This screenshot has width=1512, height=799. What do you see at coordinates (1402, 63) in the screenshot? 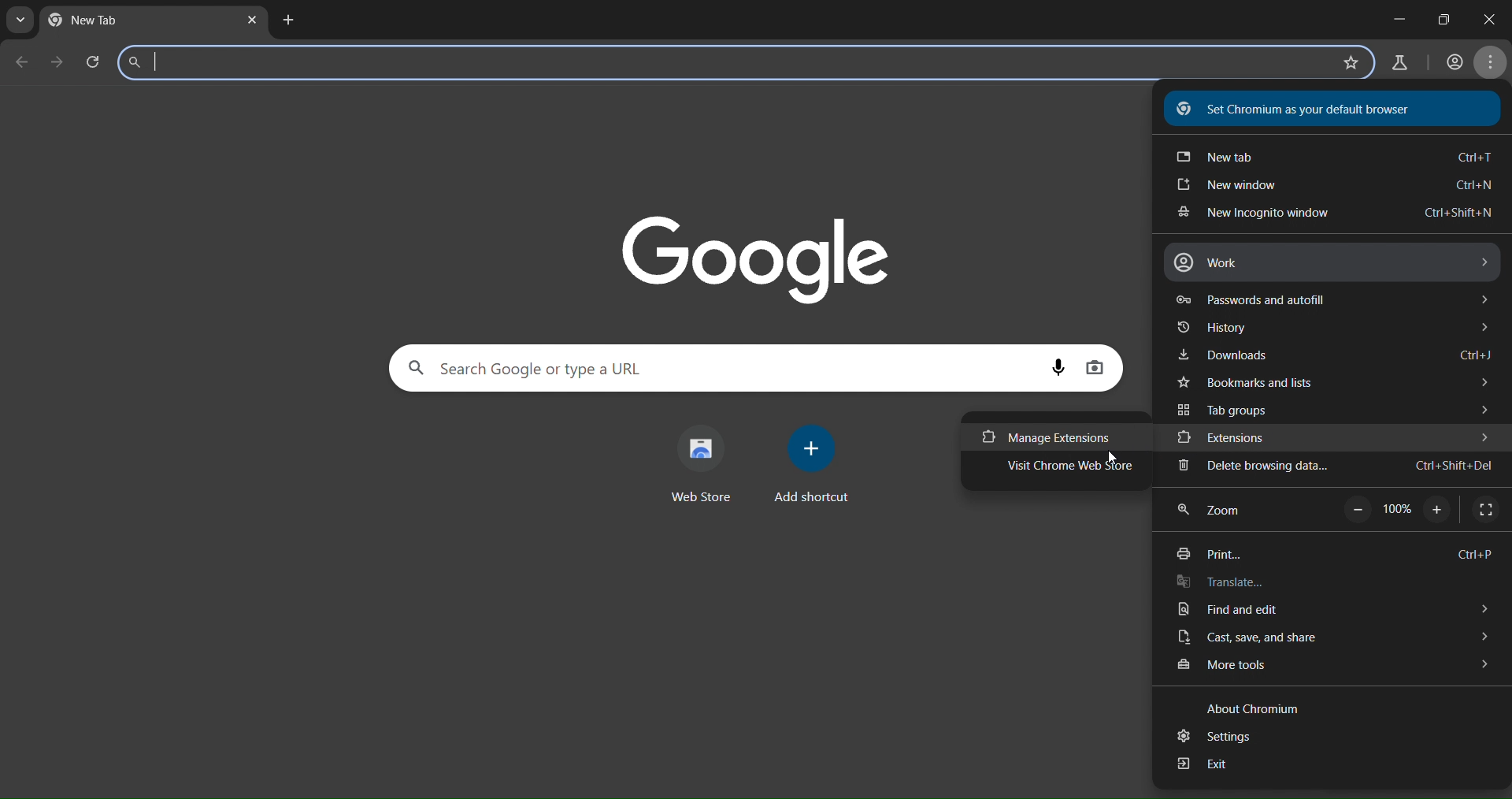
I see `search labs` at bounding box center [1402, 63].